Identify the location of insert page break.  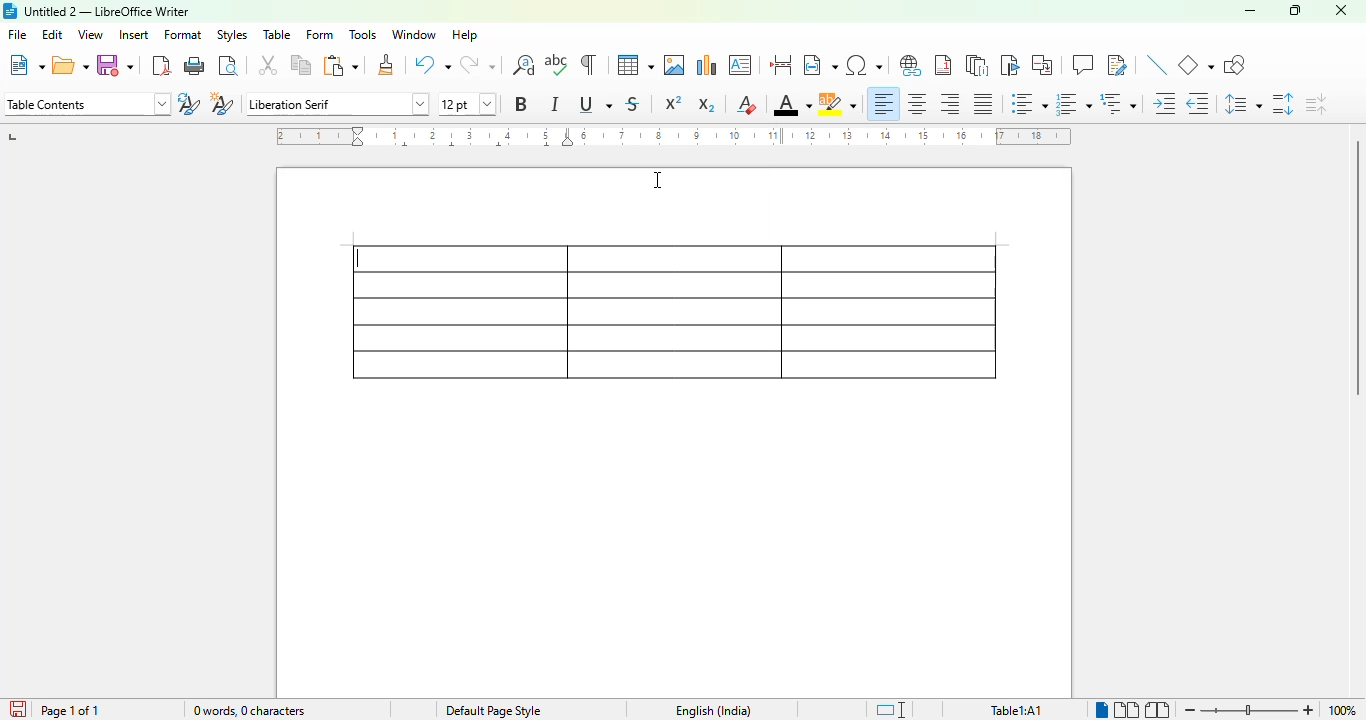
(782, 64).